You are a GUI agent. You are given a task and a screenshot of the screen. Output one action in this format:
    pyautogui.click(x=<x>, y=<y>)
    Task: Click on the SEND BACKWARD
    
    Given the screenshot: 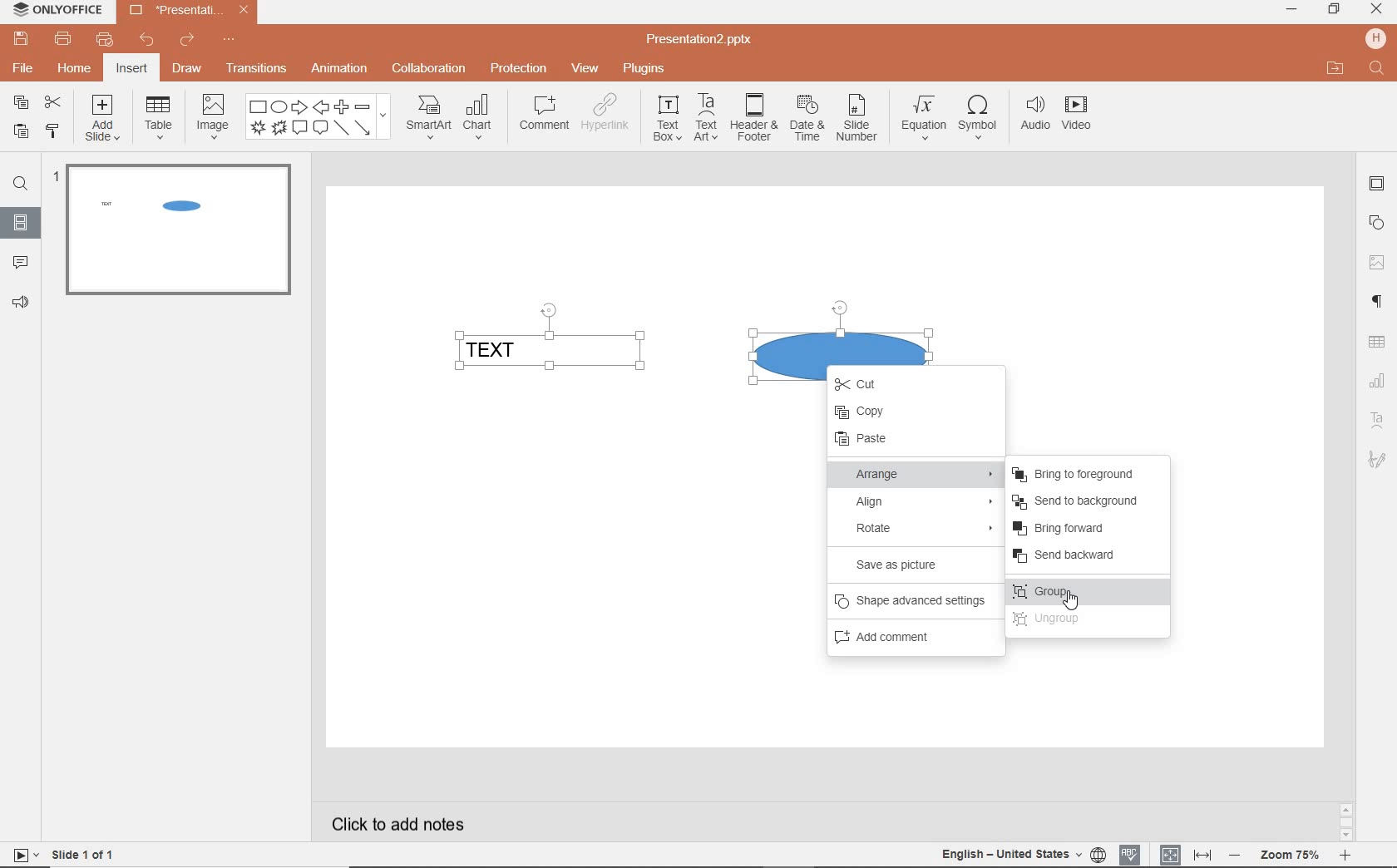 What is the action you would take?
    pyautogui.click(x=1083, y=555)
    